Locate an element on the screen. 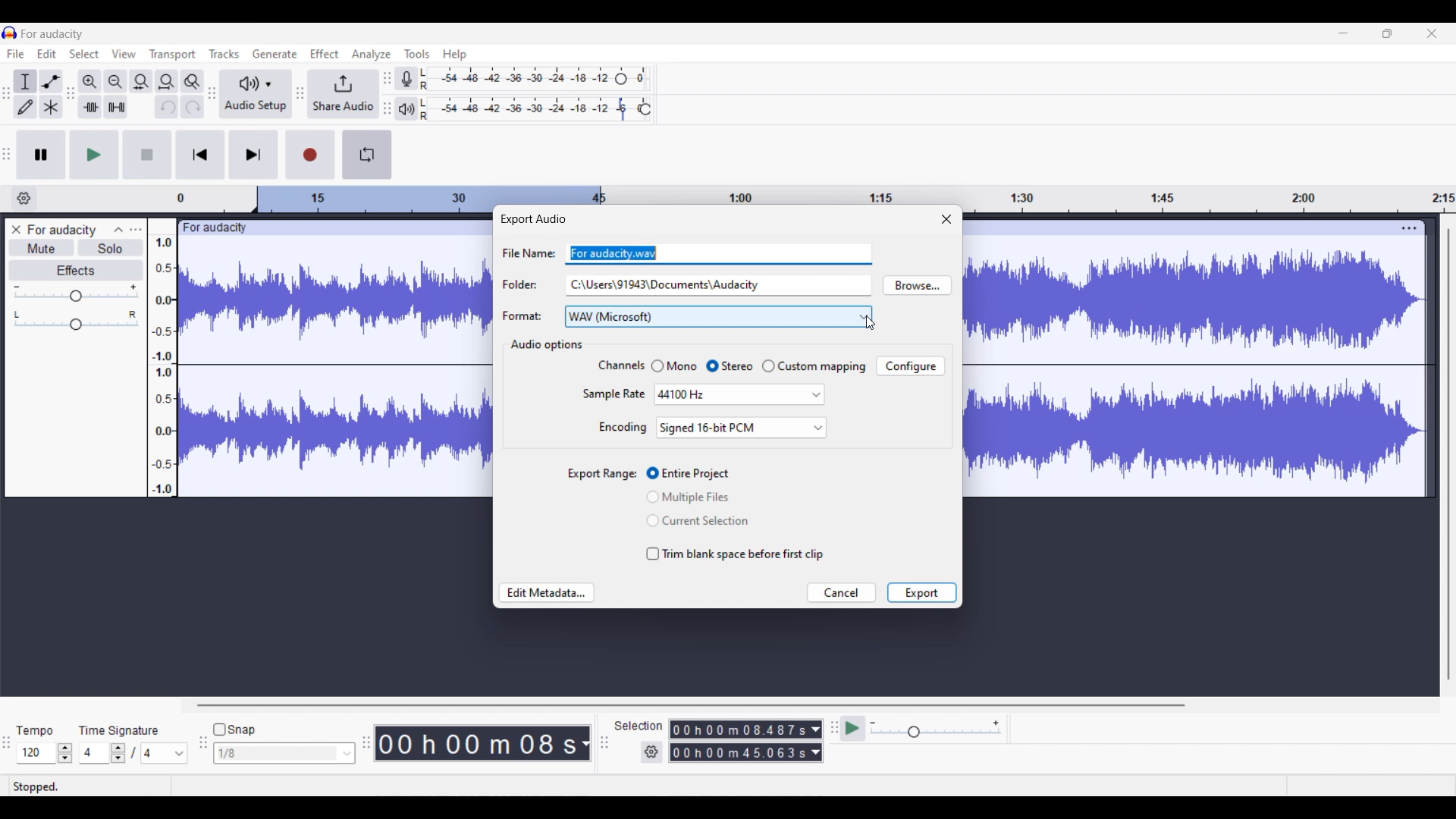  Selection duration is located at coordinates (739, 730).